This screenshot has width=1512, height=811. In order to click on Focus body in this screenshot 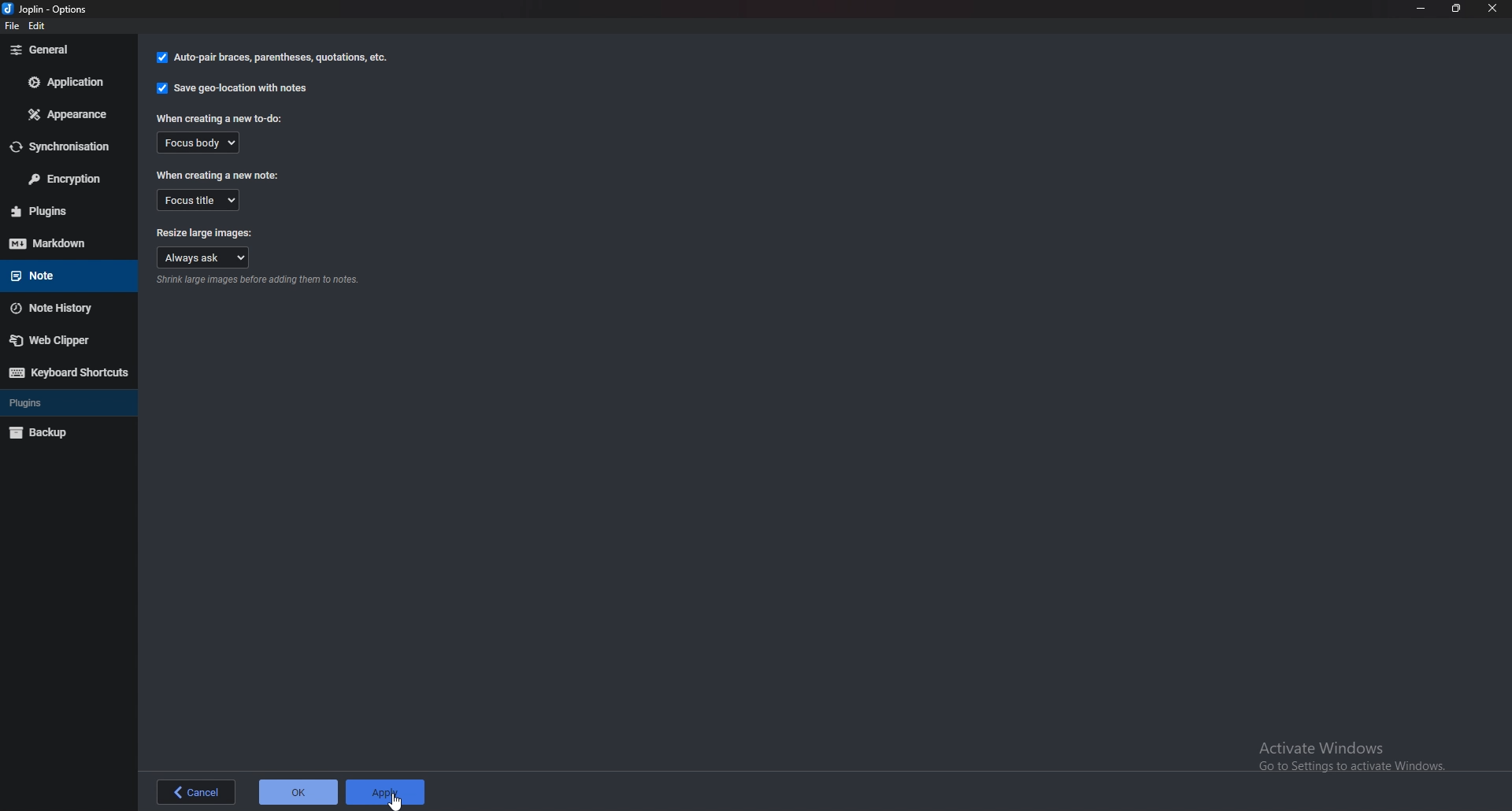, I will do `click(206, 143)`.